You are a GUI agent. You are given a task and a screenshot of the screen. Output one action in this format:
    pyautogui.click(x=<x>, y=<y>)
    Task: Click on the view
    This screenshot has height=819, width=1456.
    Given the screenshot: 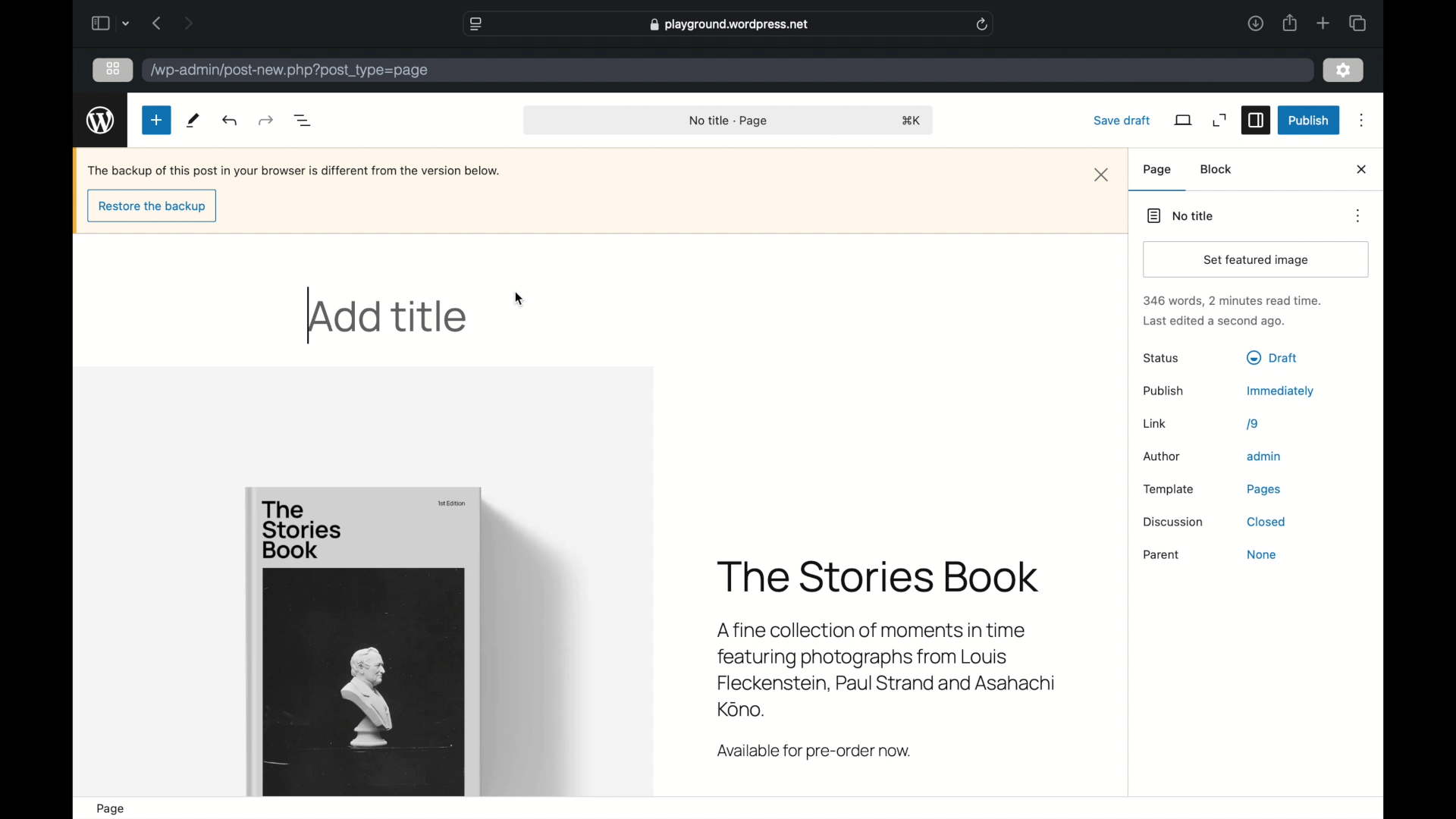 What is the action you would take?
    pyautogui.click(x=1185, y=121)
    